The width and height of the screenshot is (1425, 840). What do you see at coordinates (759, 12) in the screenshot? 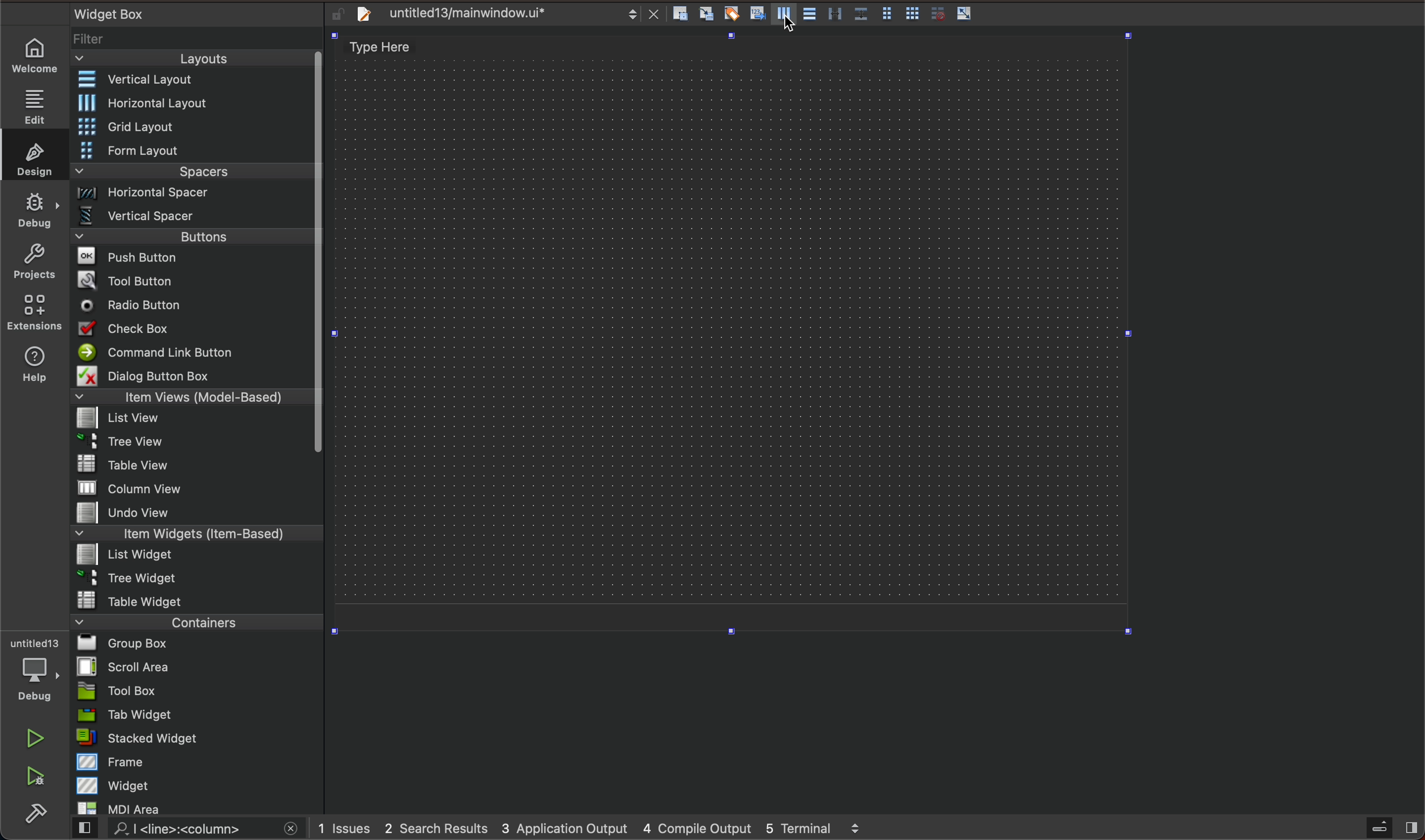
I see `tab order` at bounding box center [759, 12].